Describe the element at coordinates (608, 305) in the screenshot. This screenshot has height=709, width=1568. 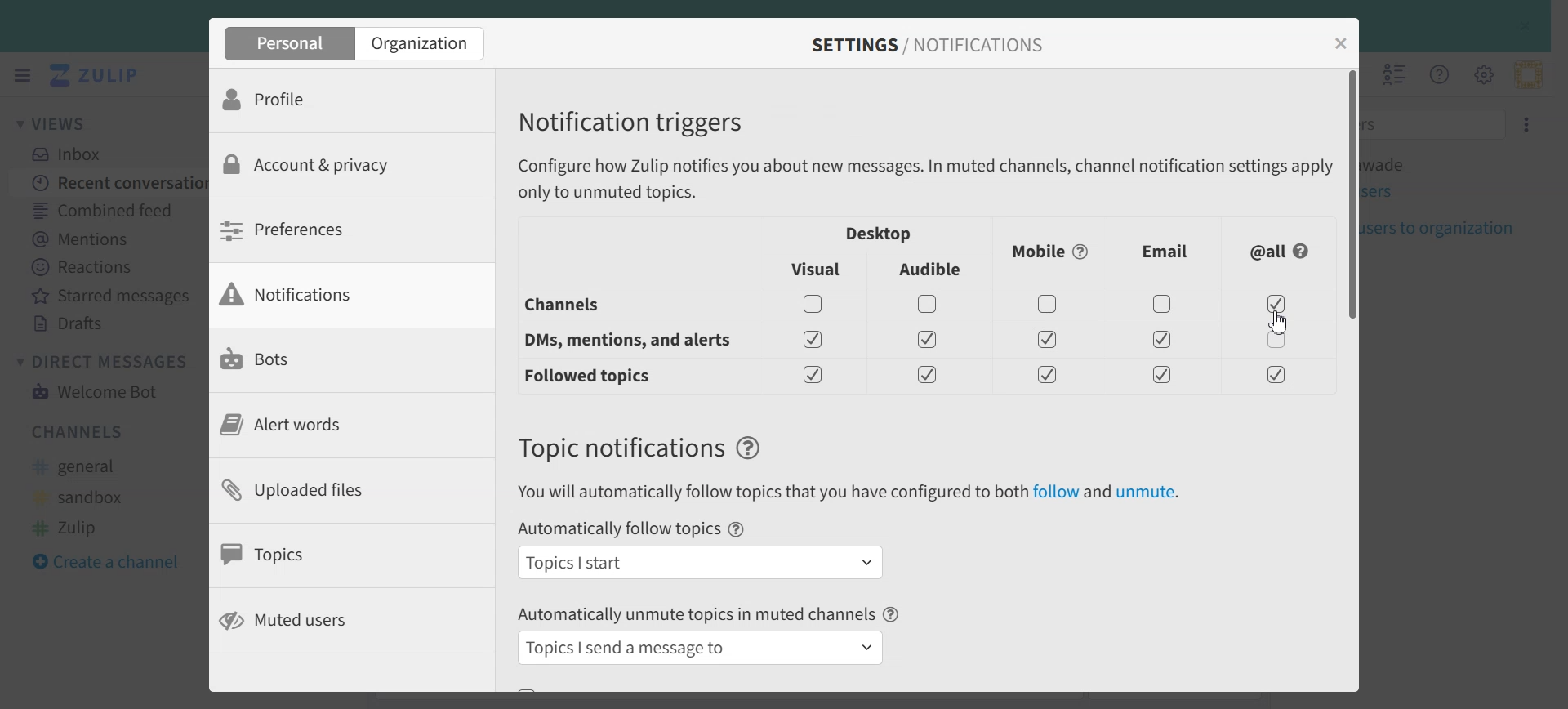
I see `Channels` at that location.